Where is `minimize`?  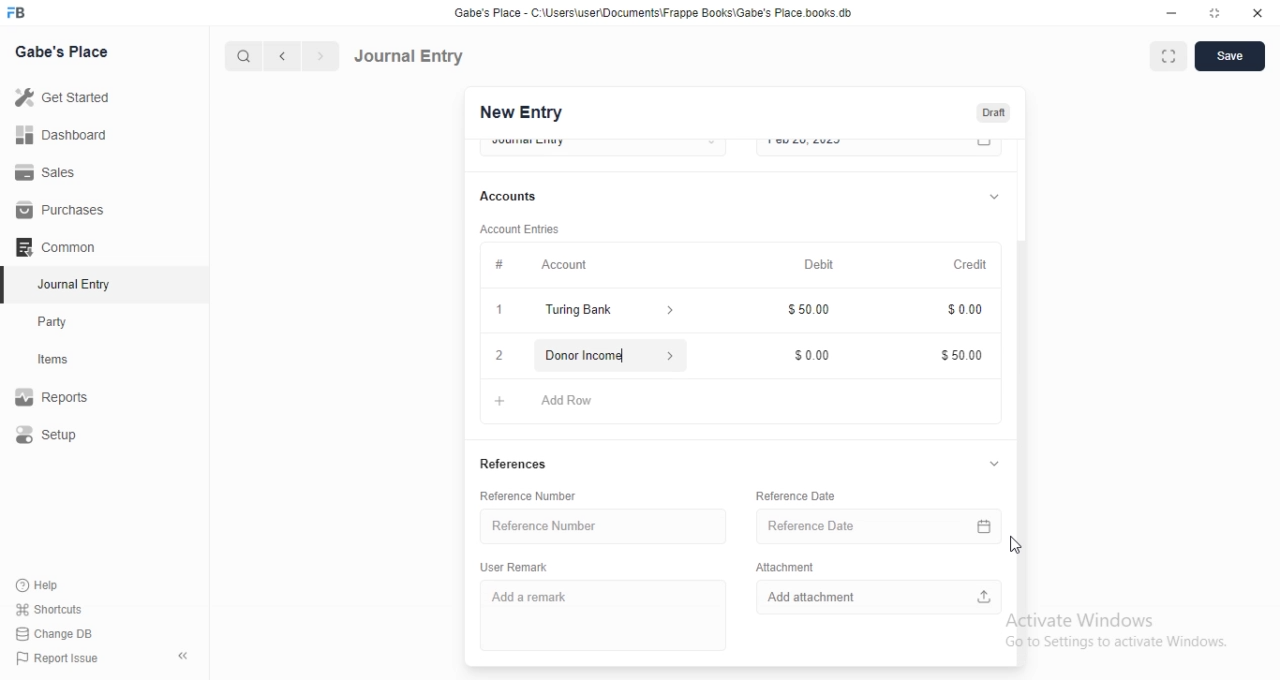
minimize is located at coordinates (1170, 16).